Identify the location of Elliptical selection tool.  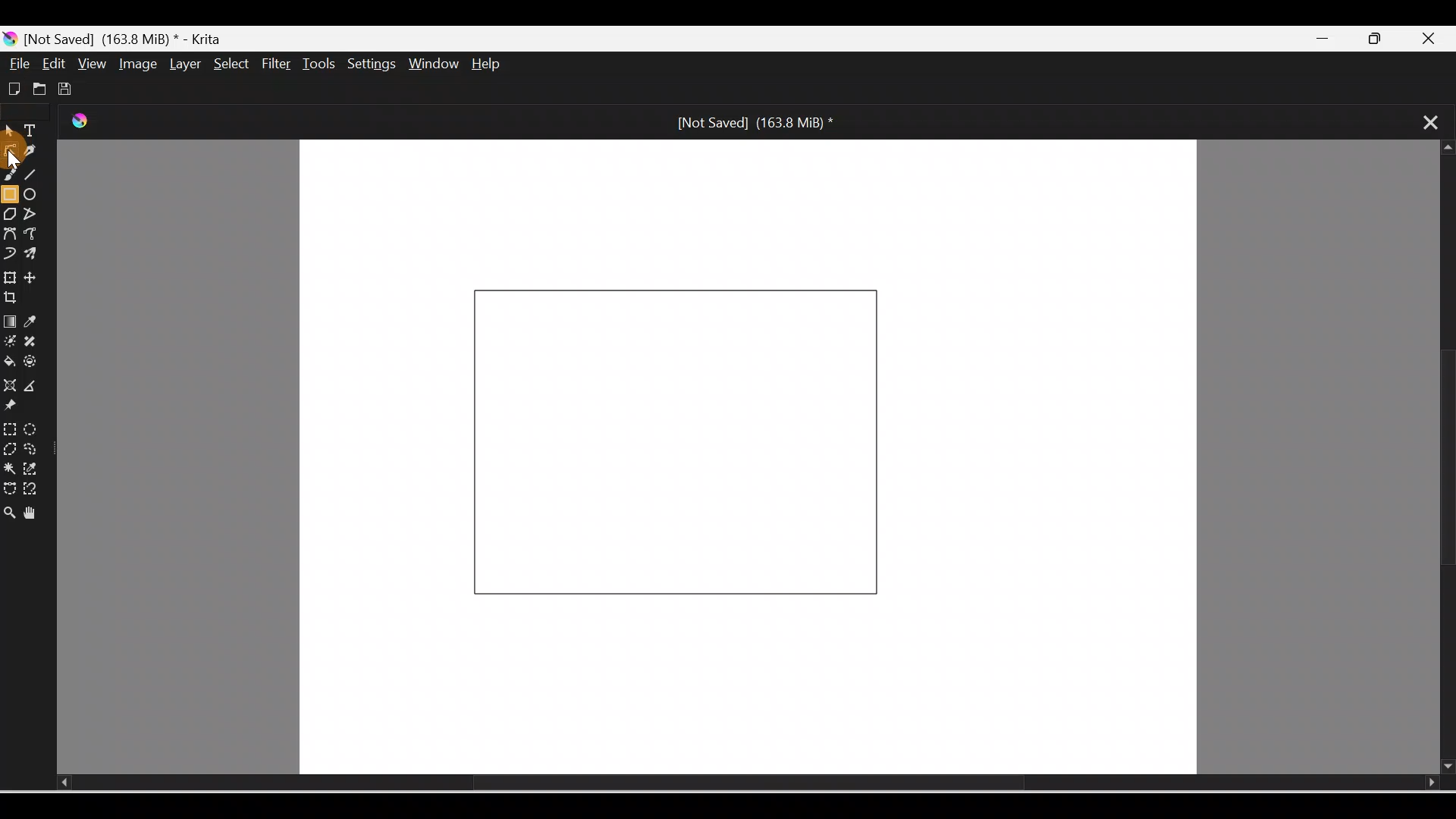
(31, 427).